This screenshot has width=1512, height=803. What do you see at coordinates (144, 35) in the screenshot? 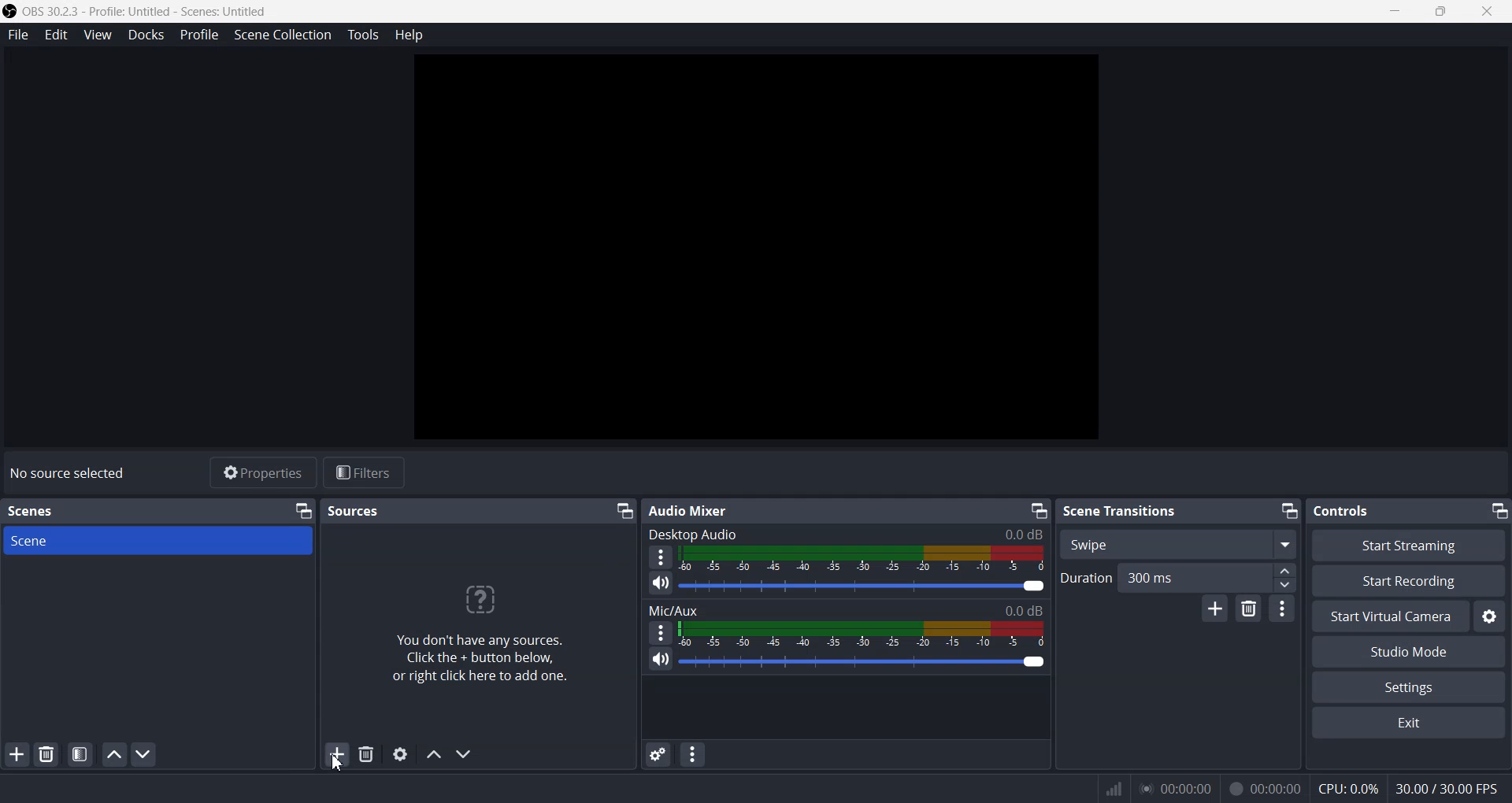
I see `Docks` at bounding box center [144, 35].